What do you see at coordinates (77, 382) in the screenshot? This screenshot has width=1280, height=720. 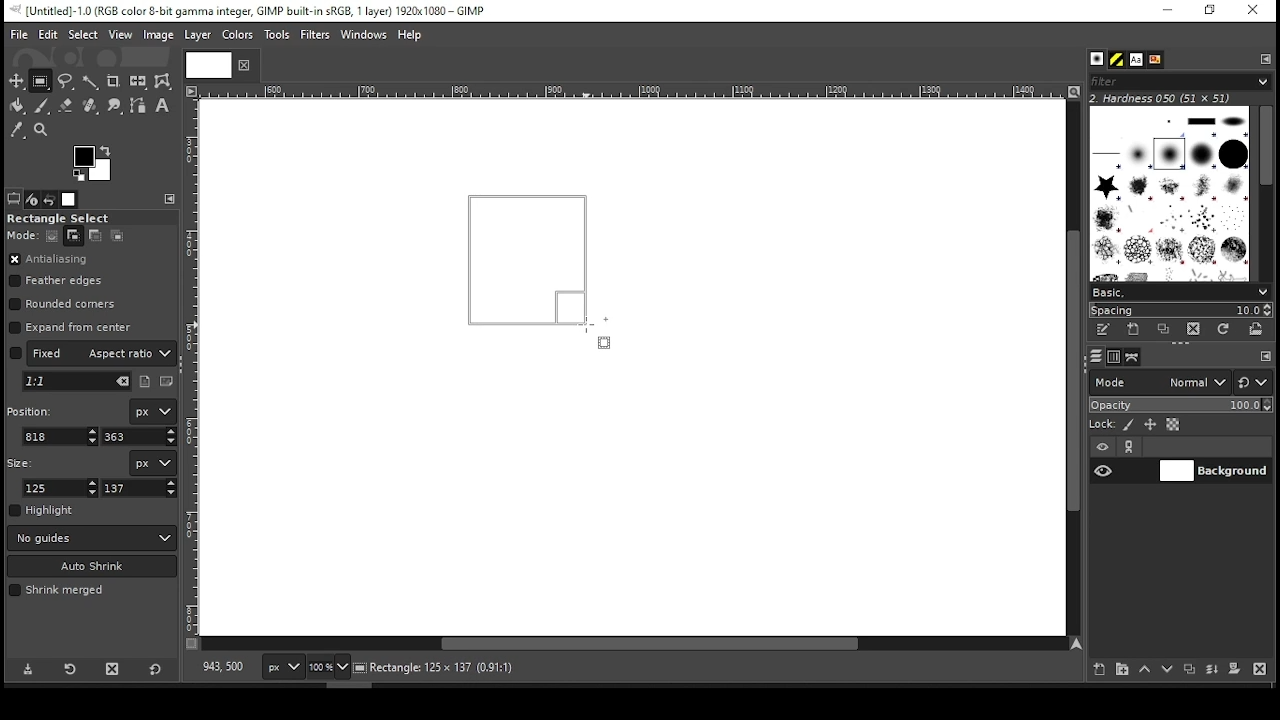 I see `pick aspect ration` at bounding box center [77, 382].